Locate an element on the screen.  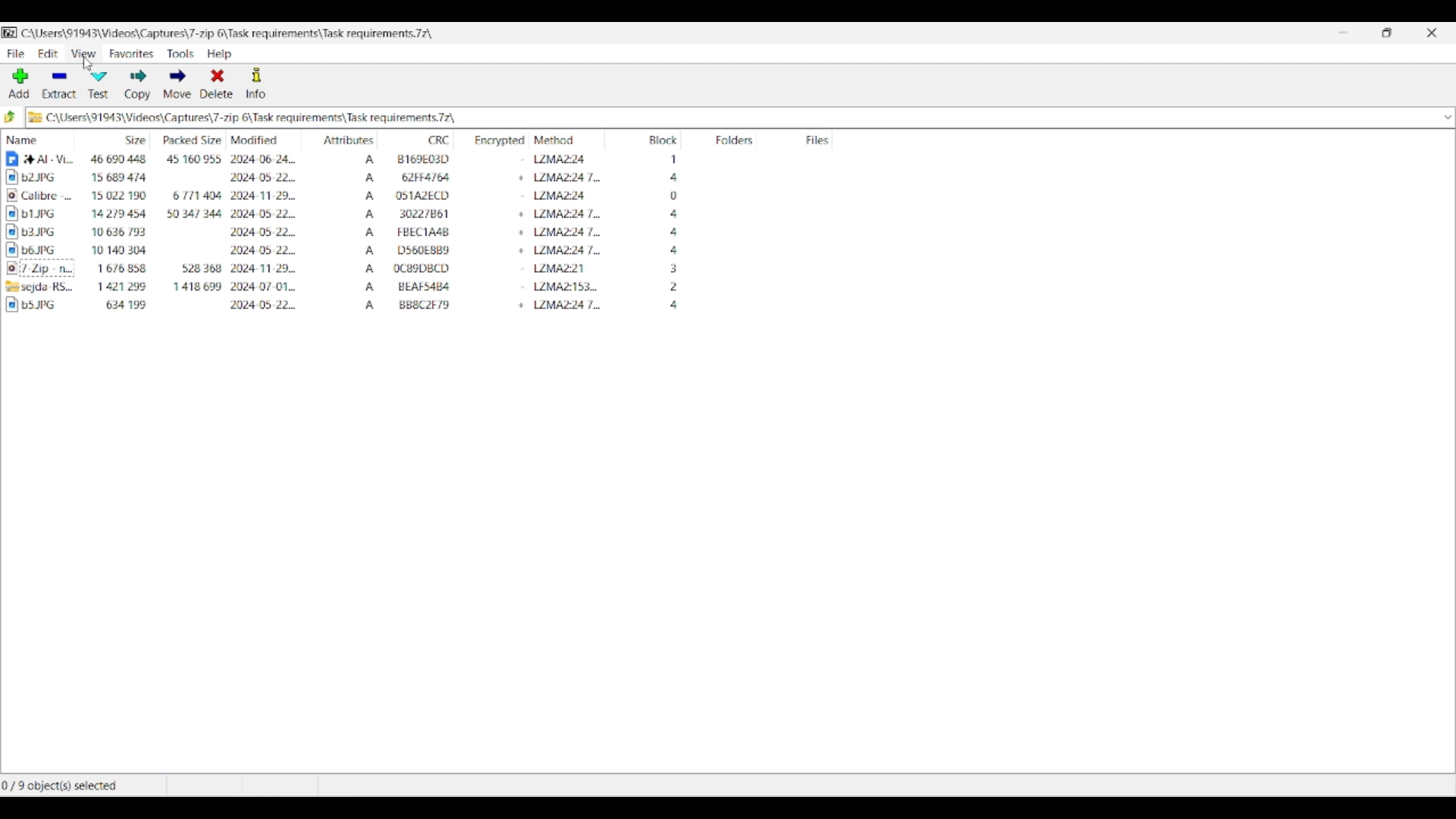
Encrypted column is located at coordinates (494, 140).